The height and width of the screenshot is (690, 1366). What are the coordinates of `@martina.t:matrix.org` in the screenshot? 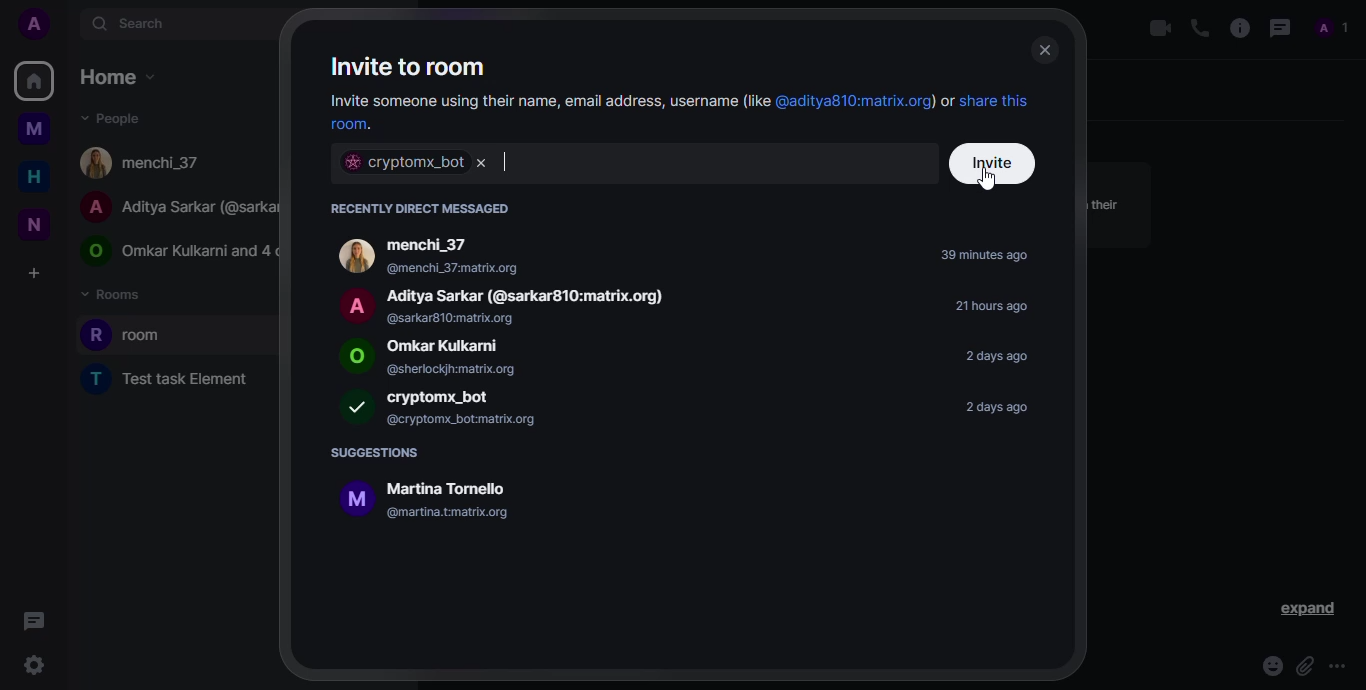 It's located at (452, 514).